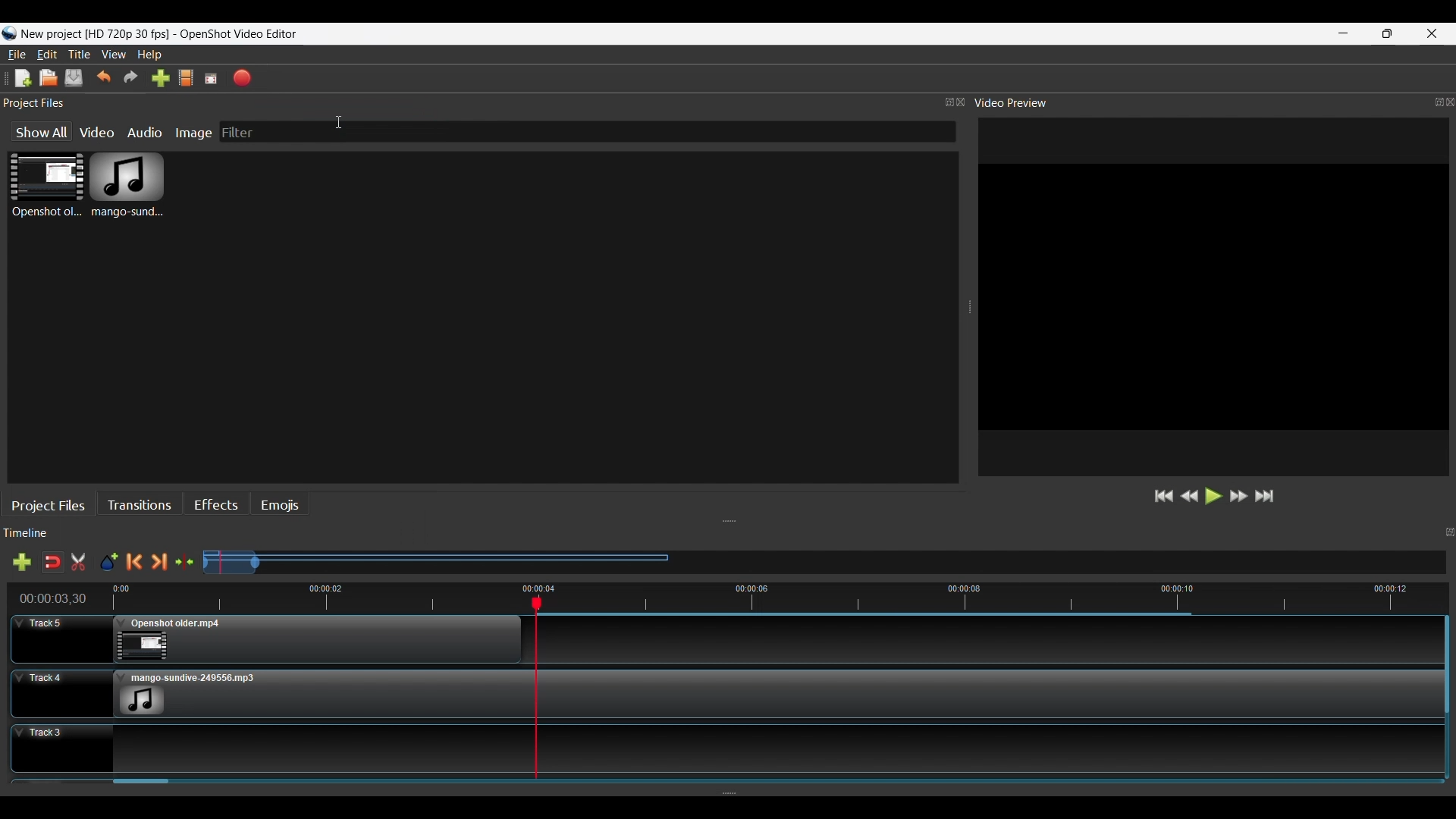 The height and width of the screenshot is (819, 1456). I want to click on Play, so click(1214, 495).